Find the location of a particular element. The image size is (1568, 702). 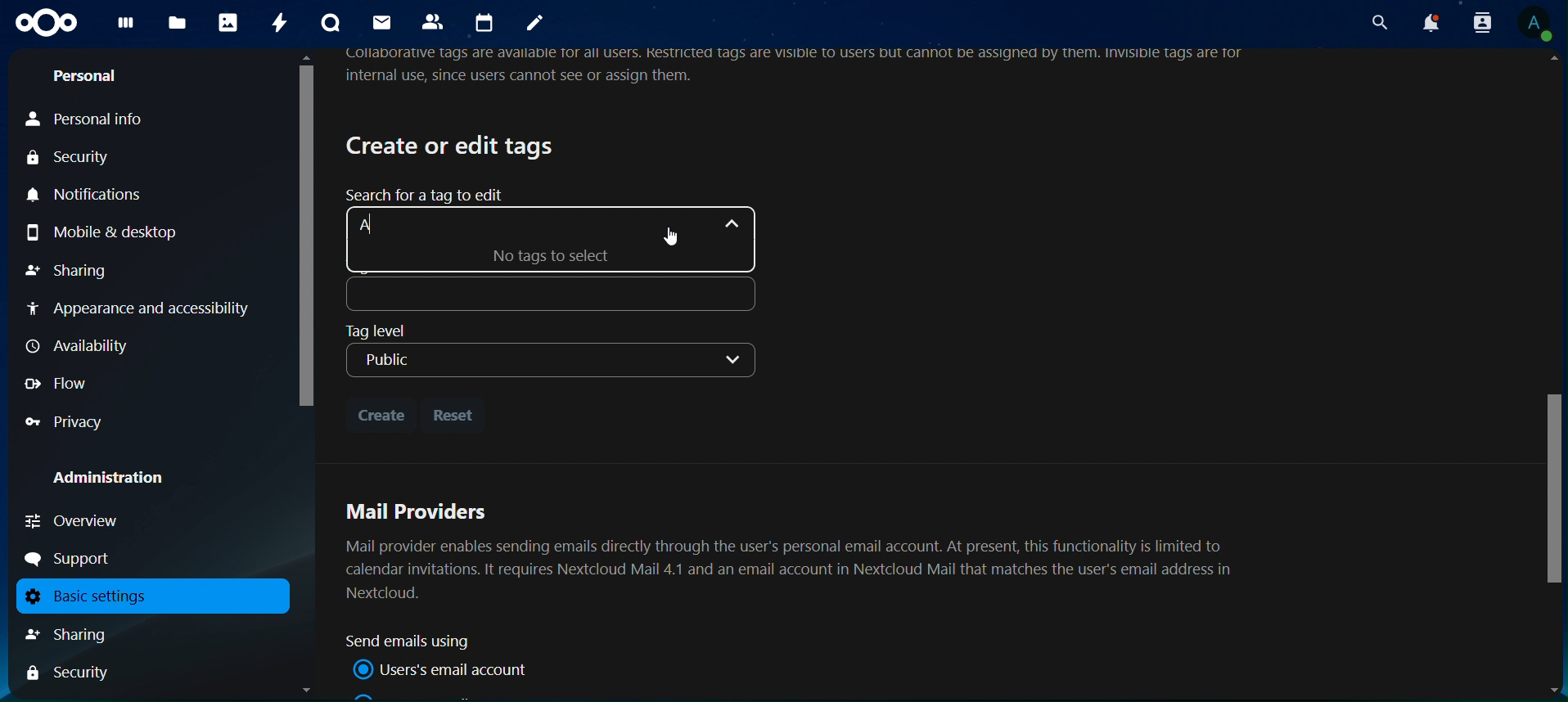

dashboard is located at coordinates (126, 27).